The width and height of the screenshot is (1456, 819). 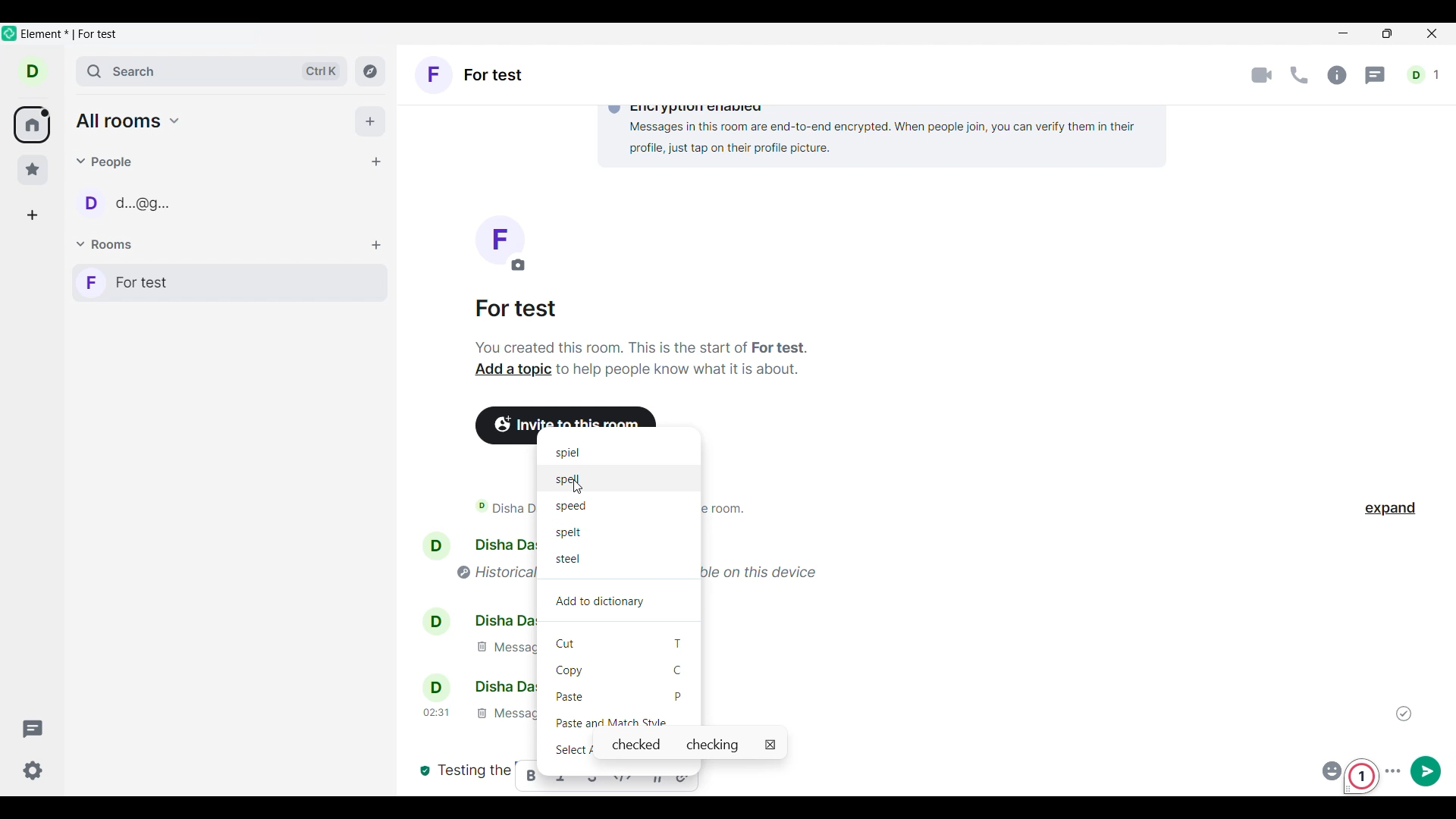 I want to click on Start chat, so click(x=375, y=162).